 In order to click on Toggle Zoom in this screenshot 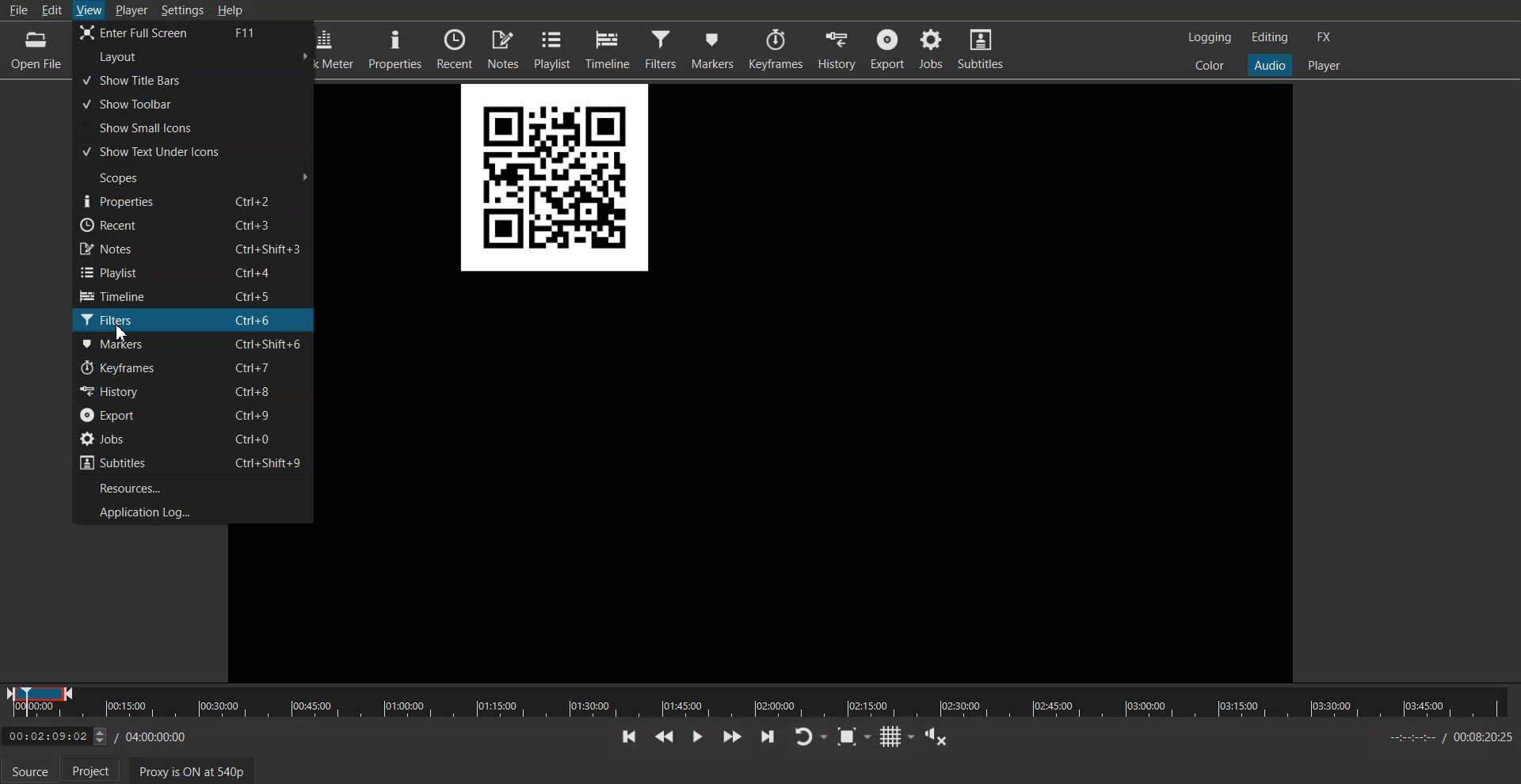, I will do `click(854, 737)`.